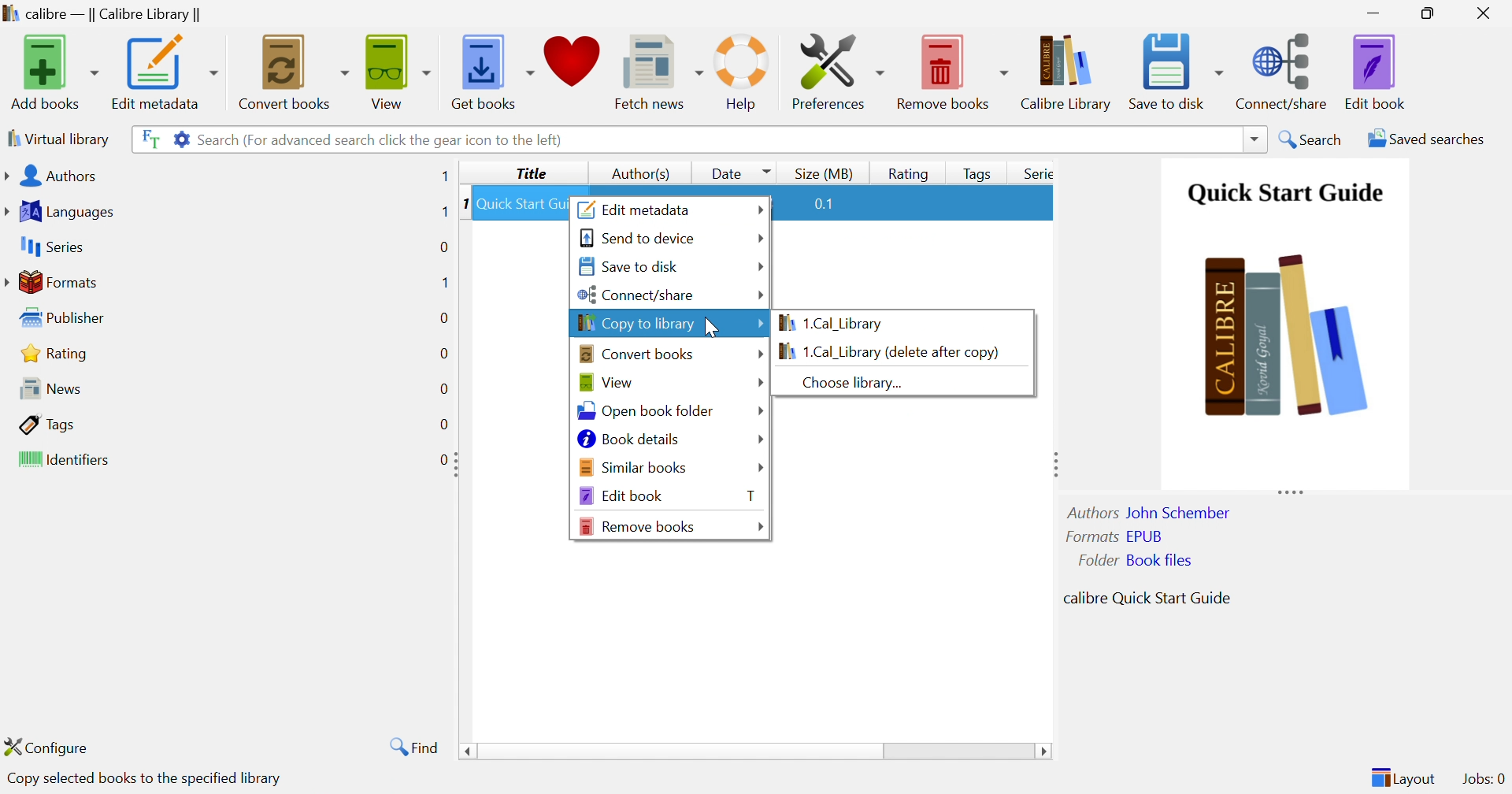 The width and height of the screenshot is (1512, 794). I want to click on Edit metadata, so click(636, 209).